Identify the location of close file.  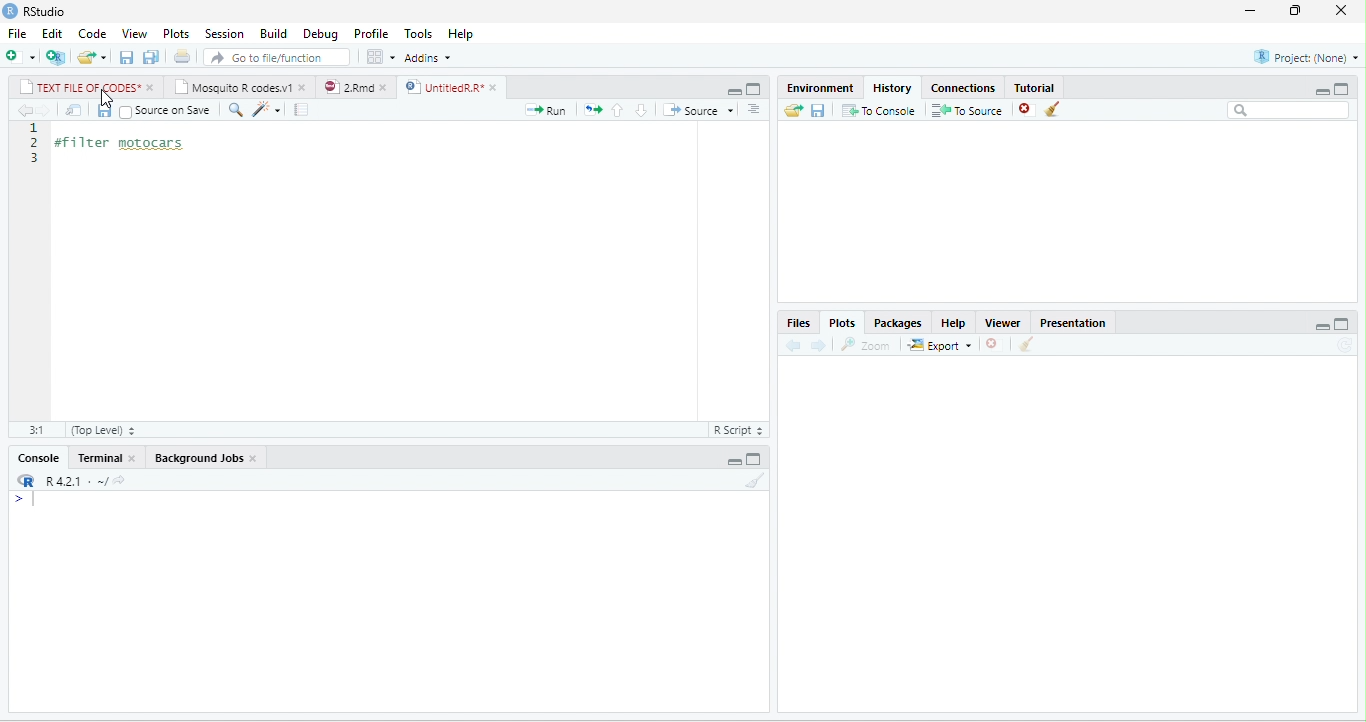
(1028, 110).